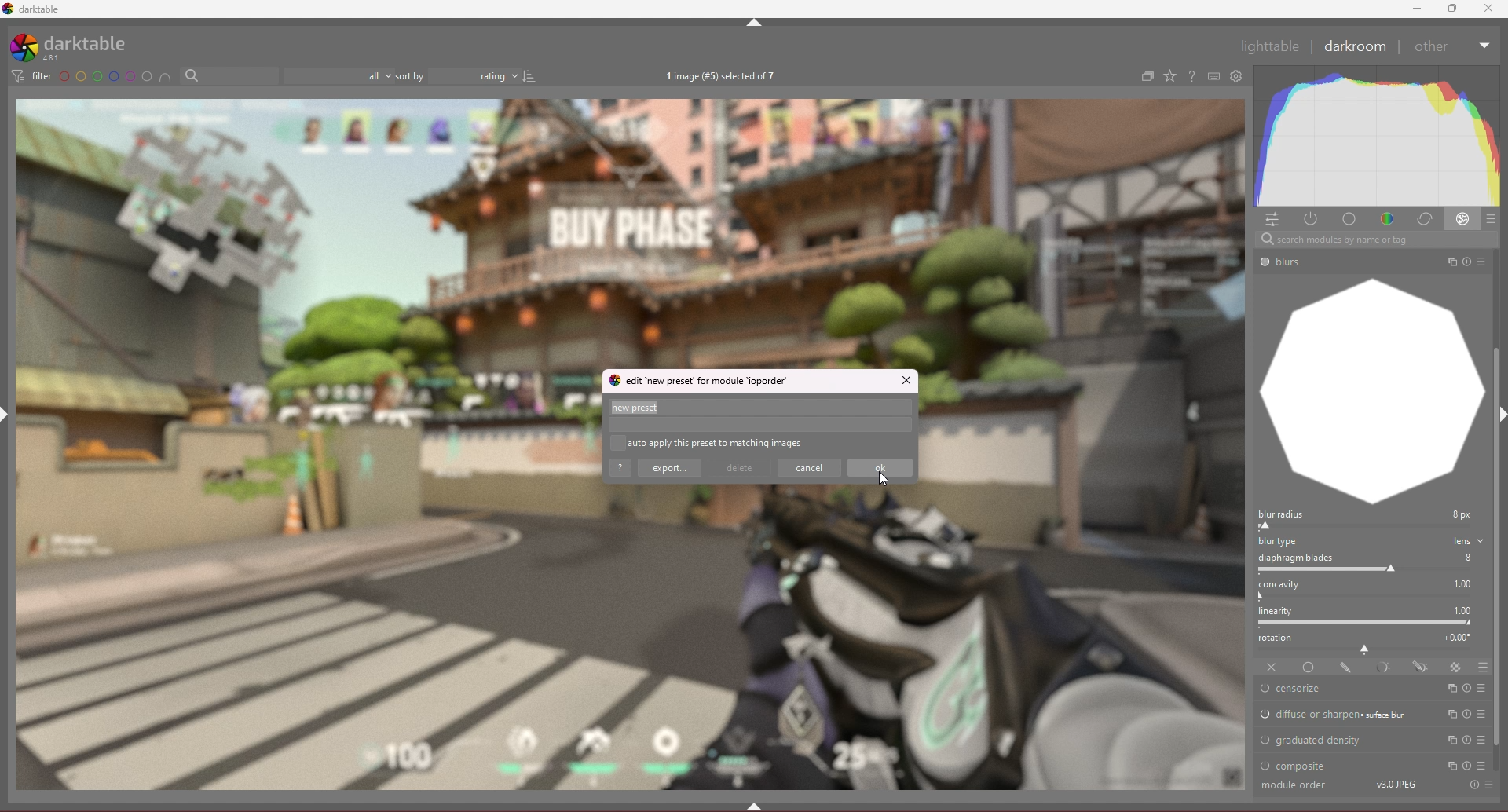 The image size is (1508, 812). Describe the element at coordinates (1369, 519) in the screenshot. I see `blur radius` at that location.